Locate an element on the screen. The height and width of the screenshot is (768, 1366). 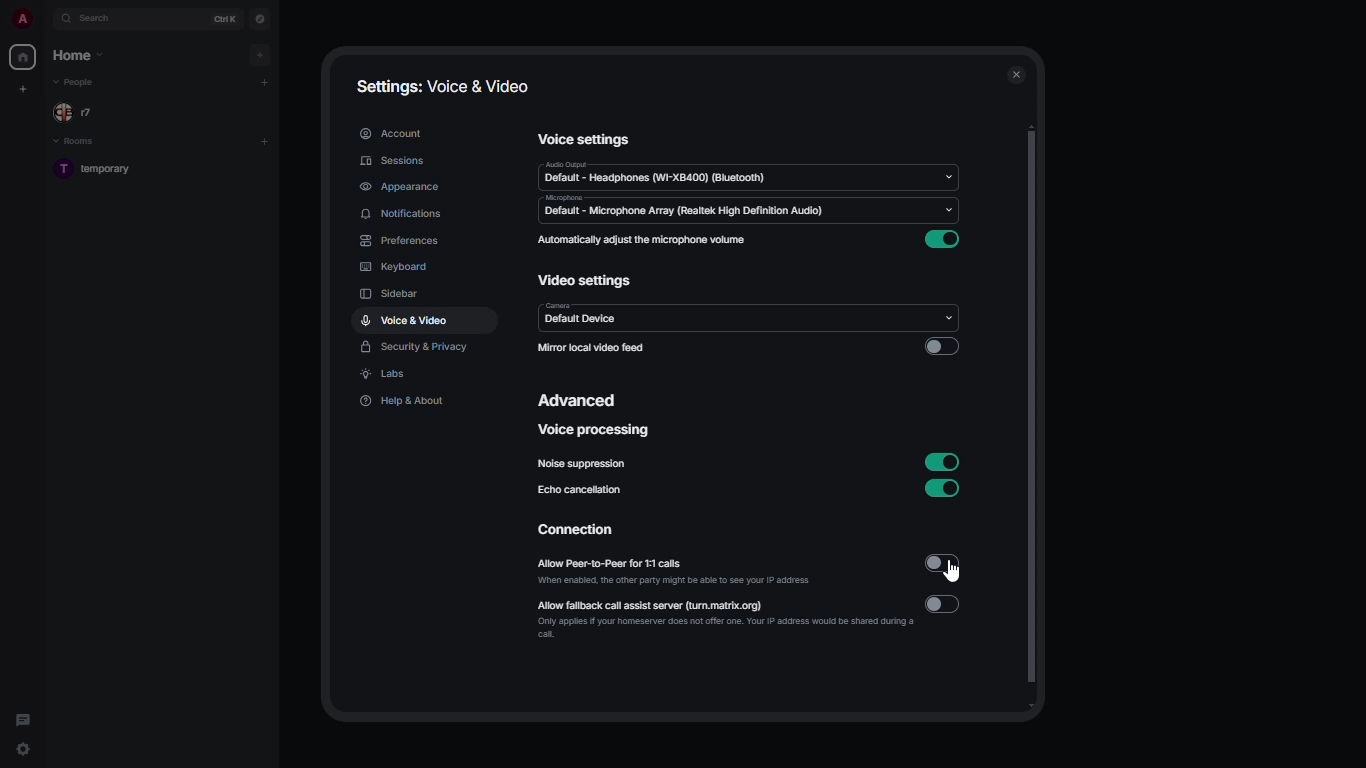
sessions is located at coordinates (394, 161).